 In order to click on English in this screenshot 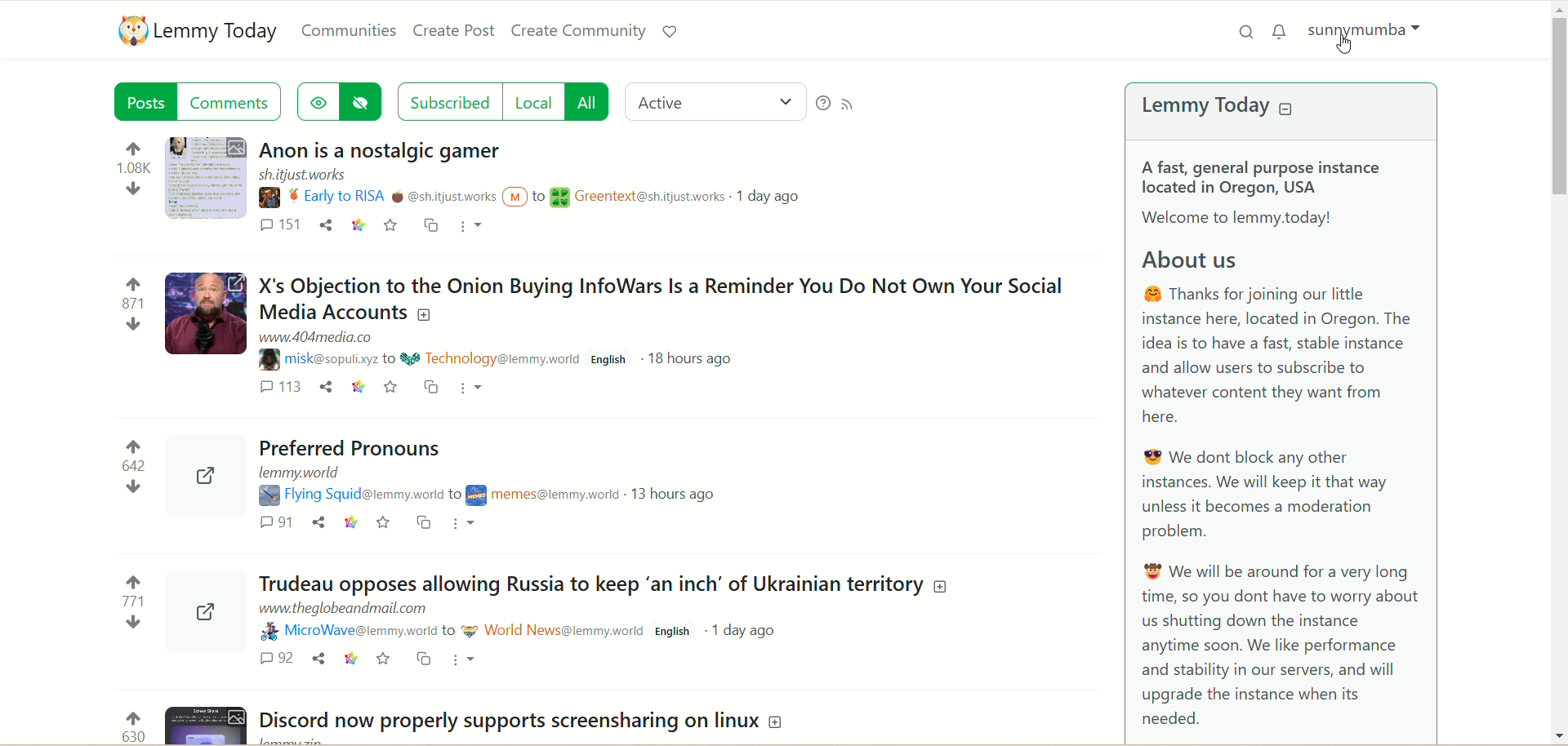, I will do `click(670, 632)`.